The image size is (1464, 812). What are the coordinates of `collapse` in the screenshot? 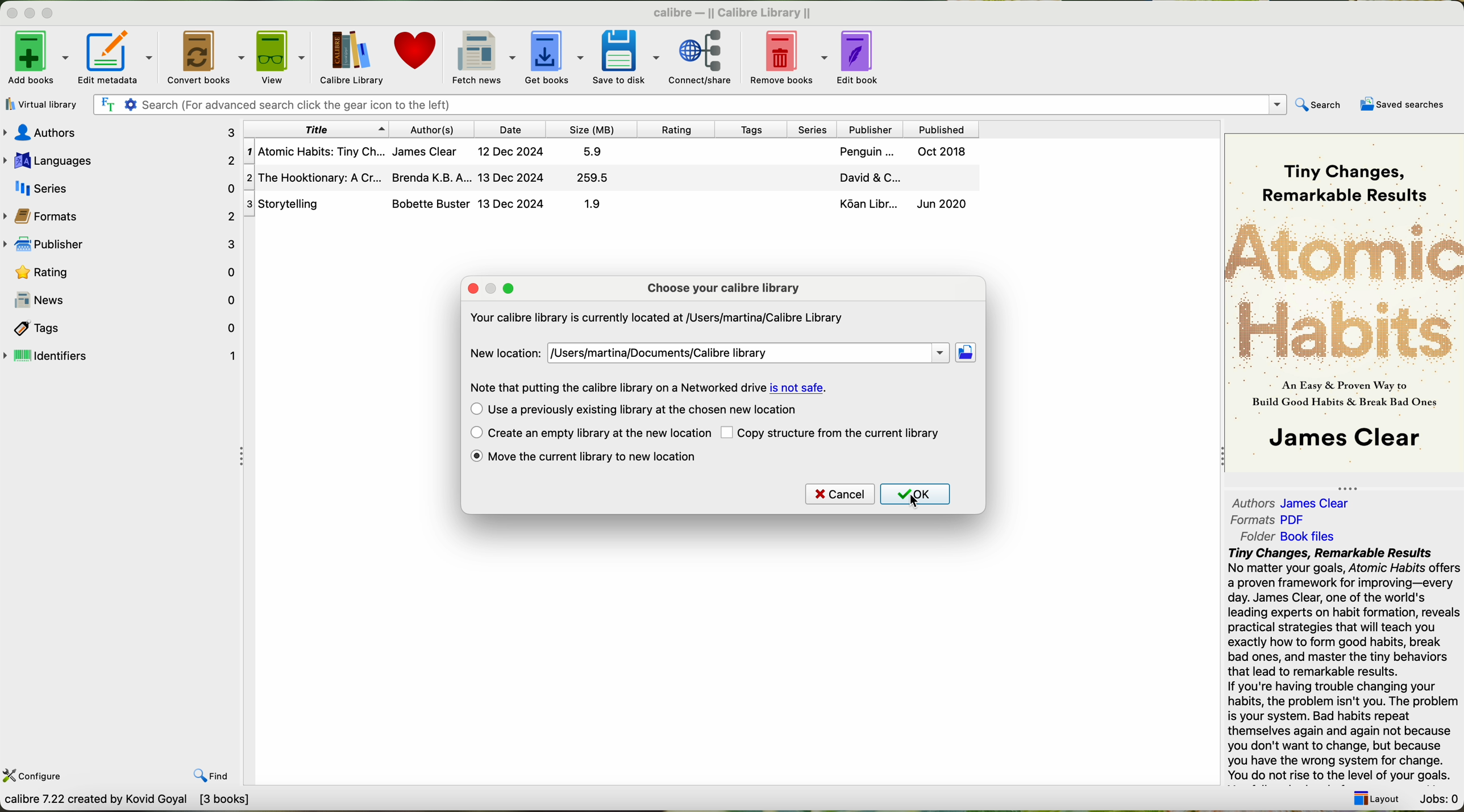 It's located at (1218, 458).